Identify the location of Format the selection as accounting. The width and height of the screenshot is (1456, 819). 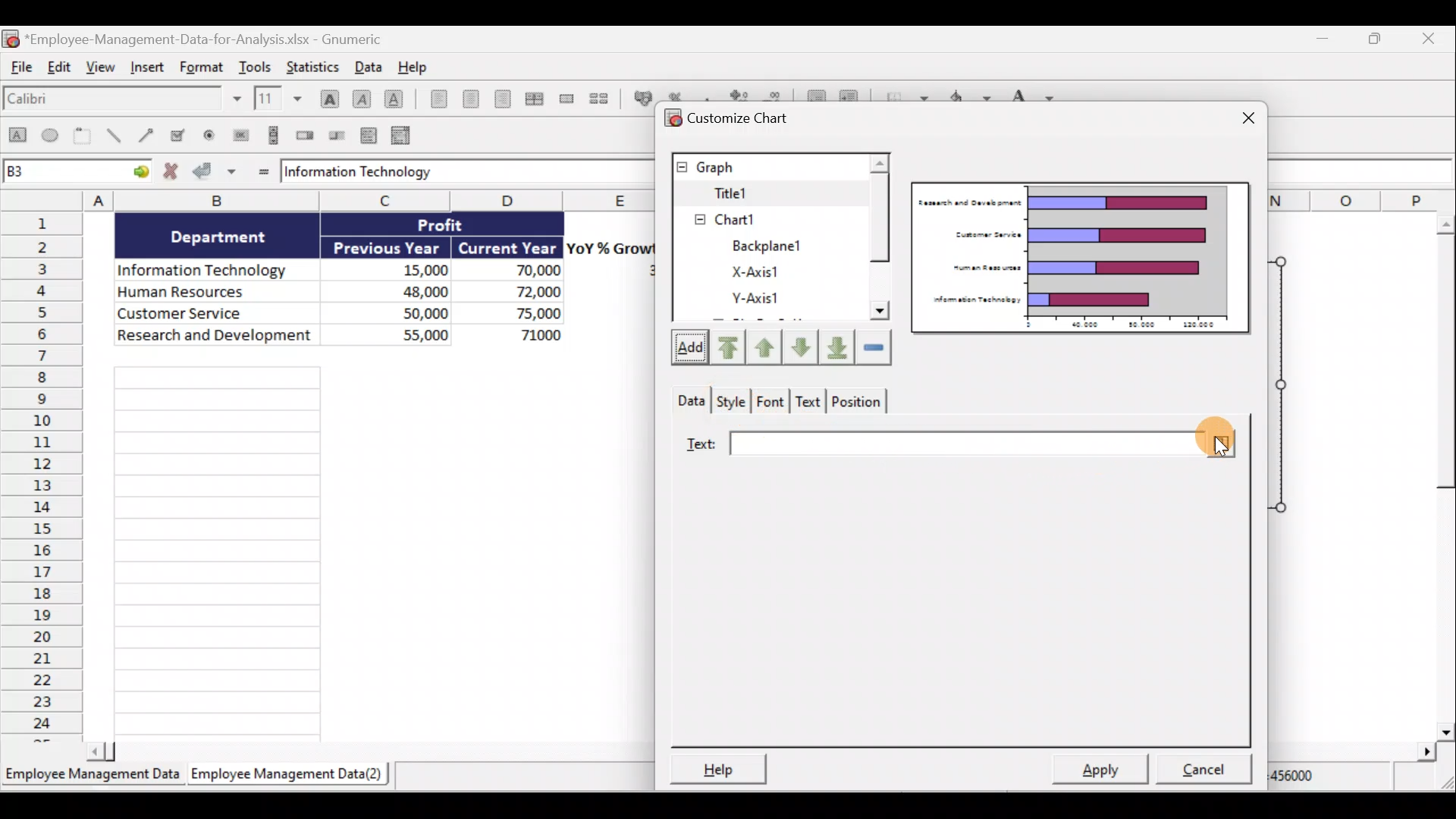
(639, 96).